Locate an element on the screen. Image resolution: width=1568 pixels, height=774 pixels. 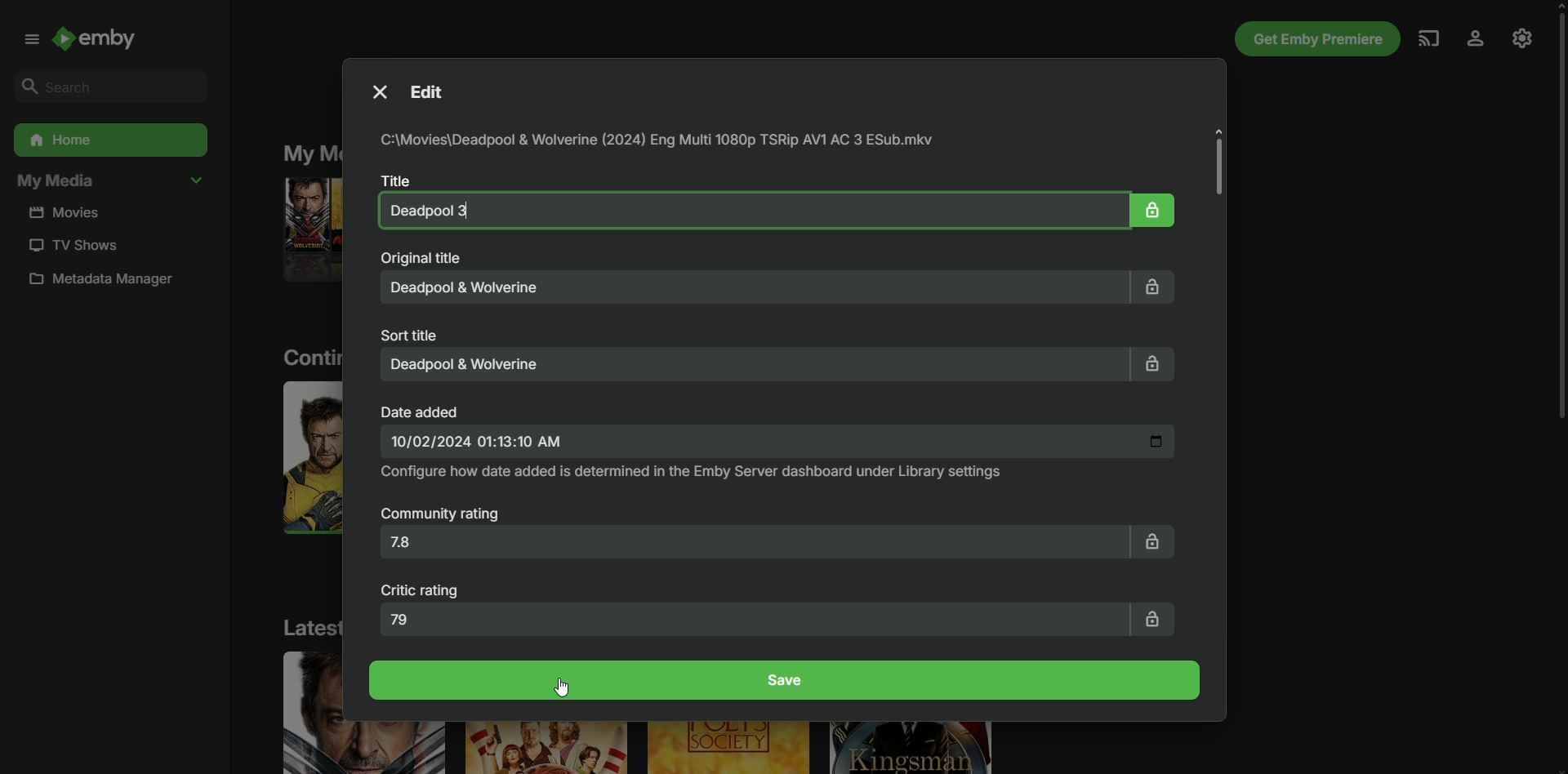
Lock is located at coordinates (1158, 287).